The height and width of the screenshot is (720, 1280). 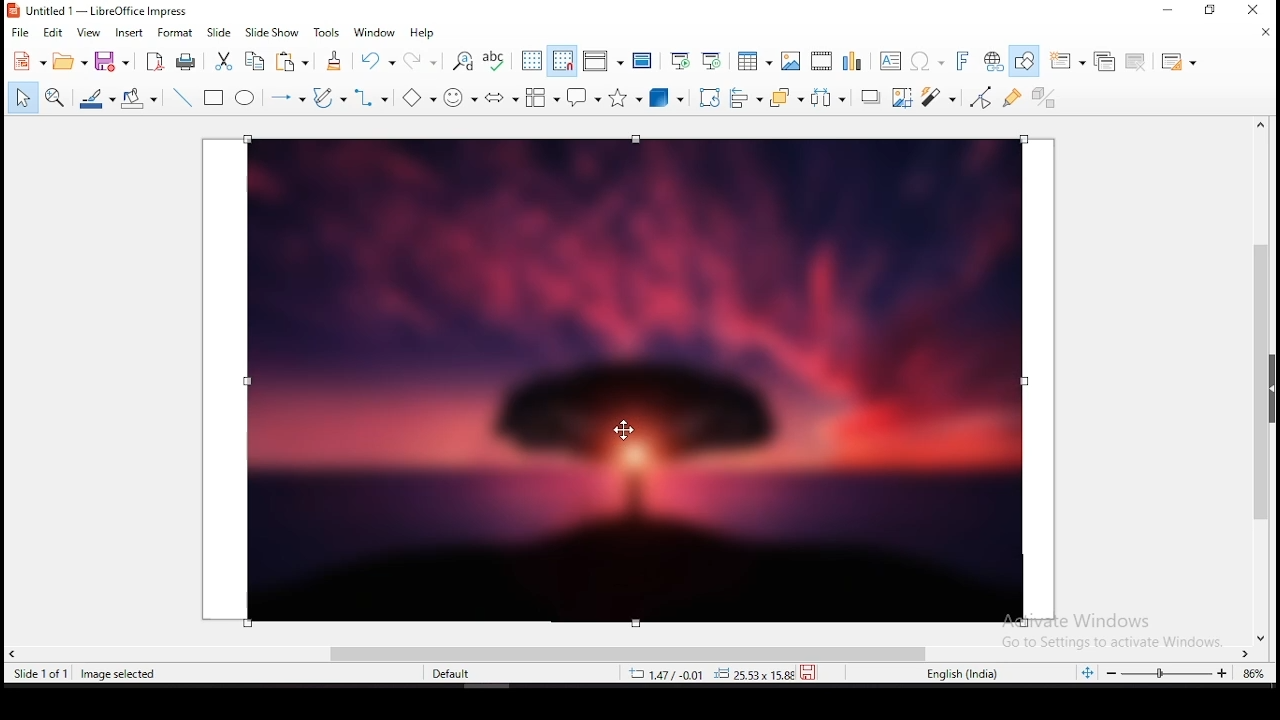 What do you see at coordinates (785, 98) in the screenshot?
I see `arrange` at bounding box center [785, 98].